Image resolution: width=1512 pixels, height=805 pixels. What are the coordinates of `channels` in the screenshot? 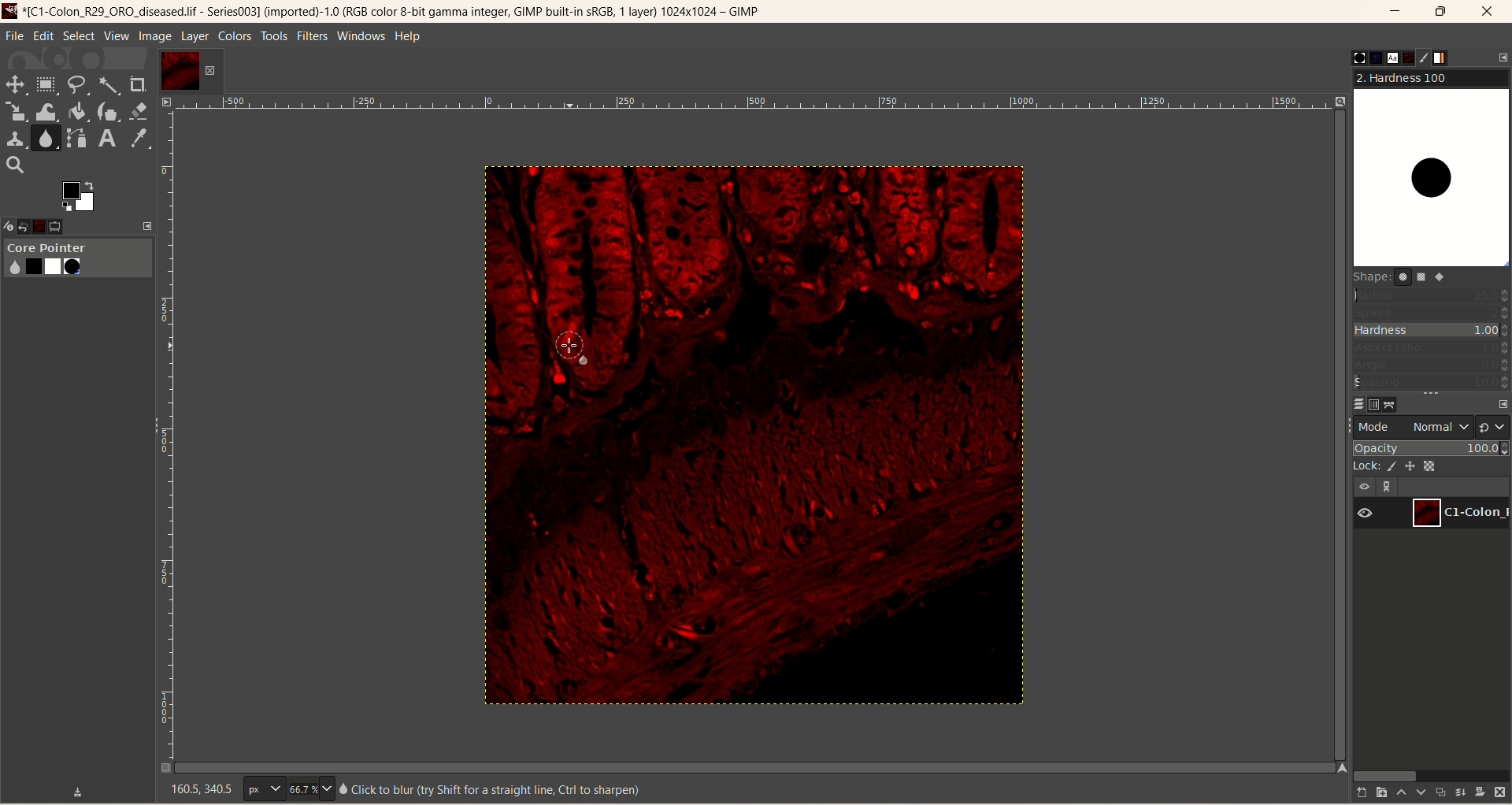 It's located at (1372, 403).